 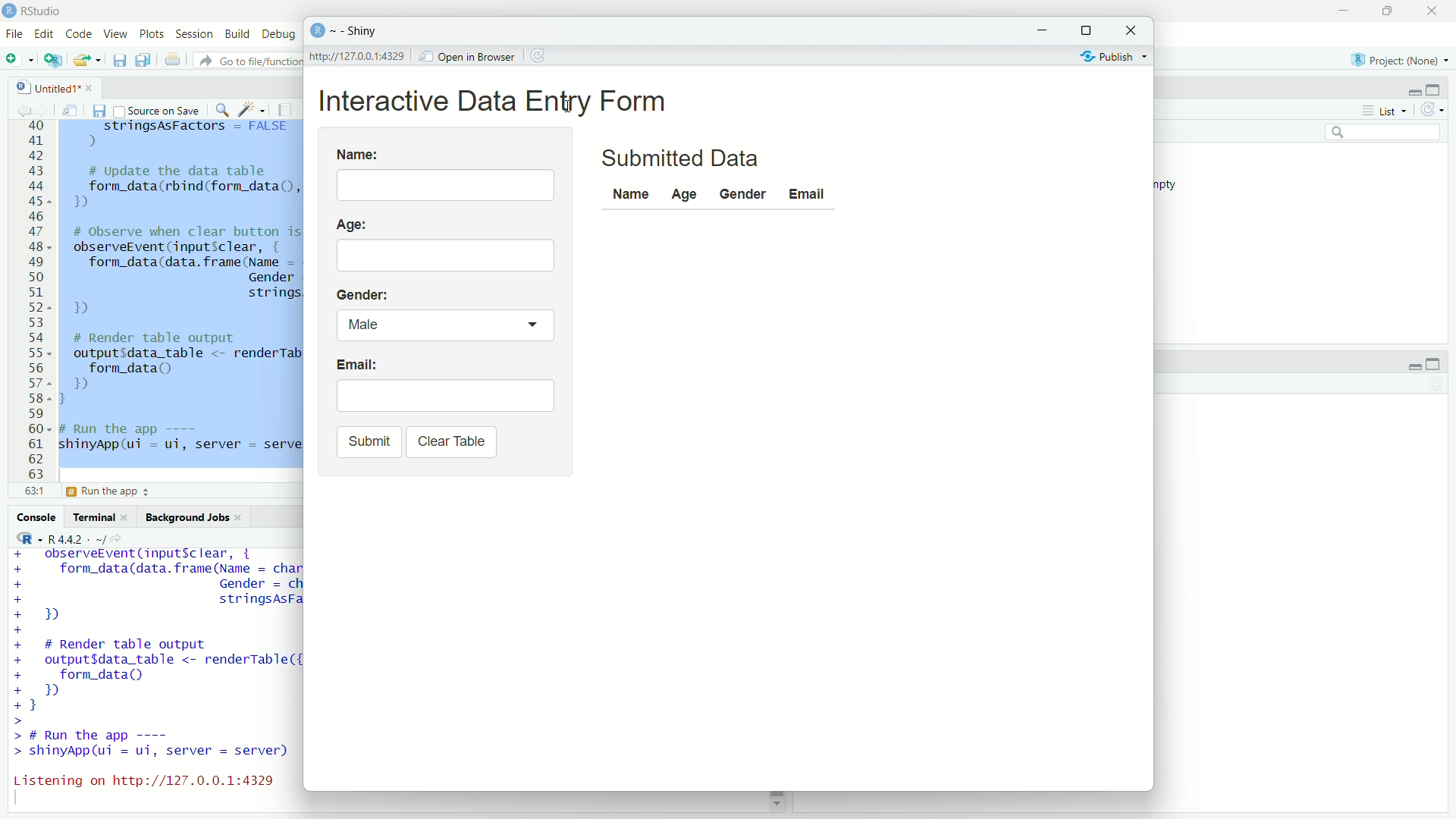 I want to click on Open an existing file, so click(x=88, y=61).